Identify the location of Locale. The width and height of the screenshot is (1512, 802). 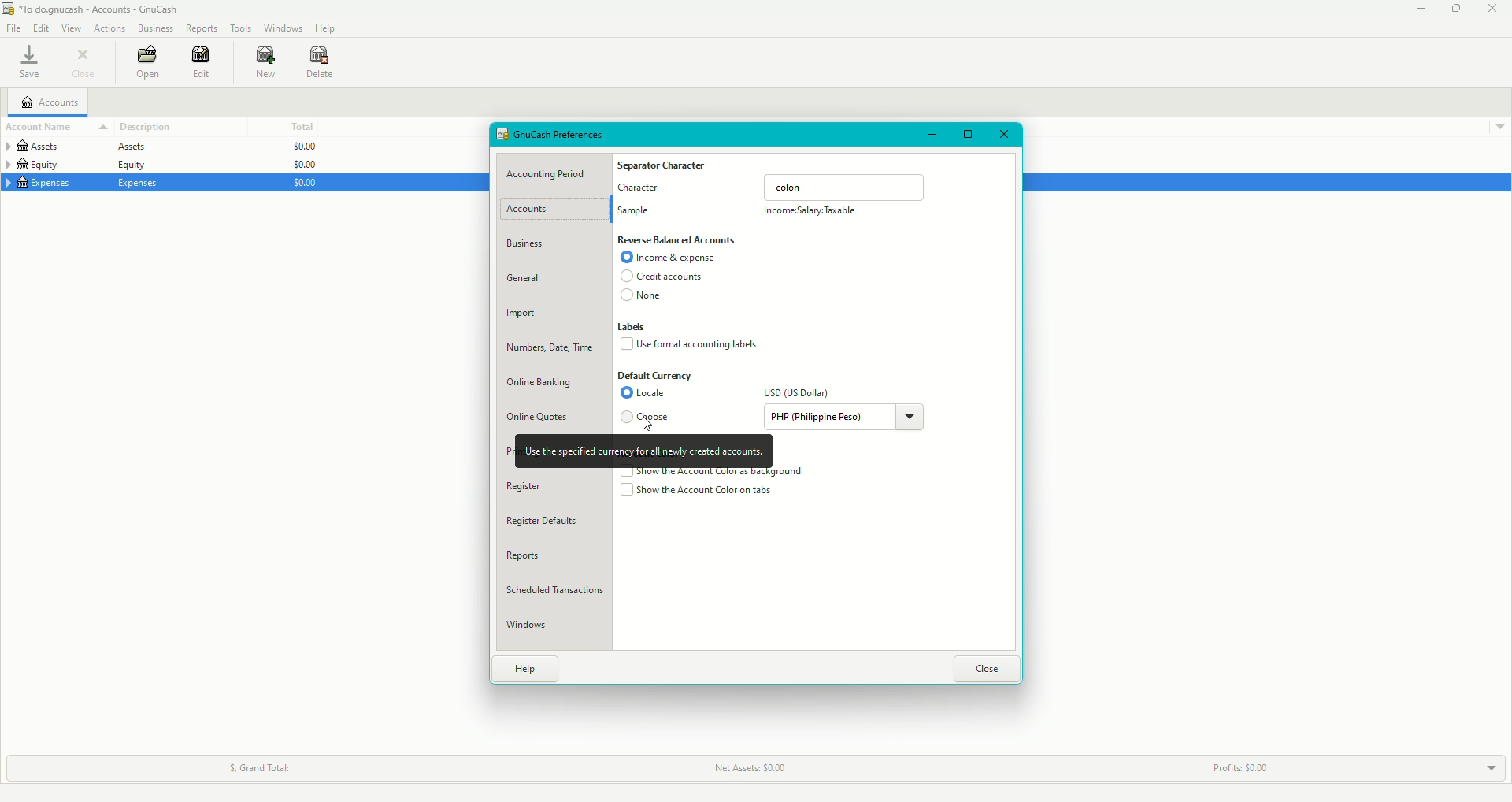
(647, 394).